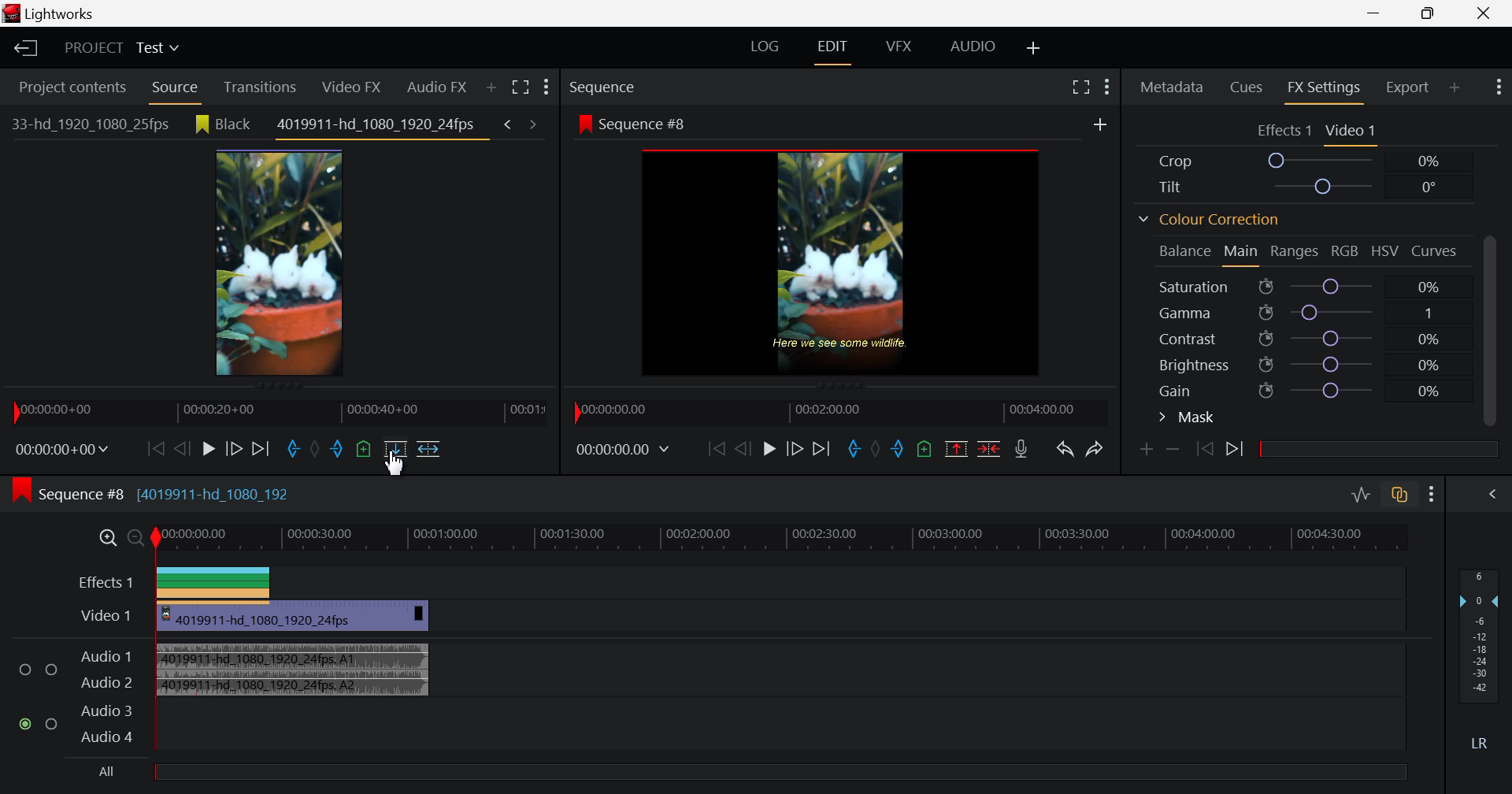  What do you see at coordinates (1482, 14) in the screenshot?
I see `Close` at bounding box center [1482, 14].